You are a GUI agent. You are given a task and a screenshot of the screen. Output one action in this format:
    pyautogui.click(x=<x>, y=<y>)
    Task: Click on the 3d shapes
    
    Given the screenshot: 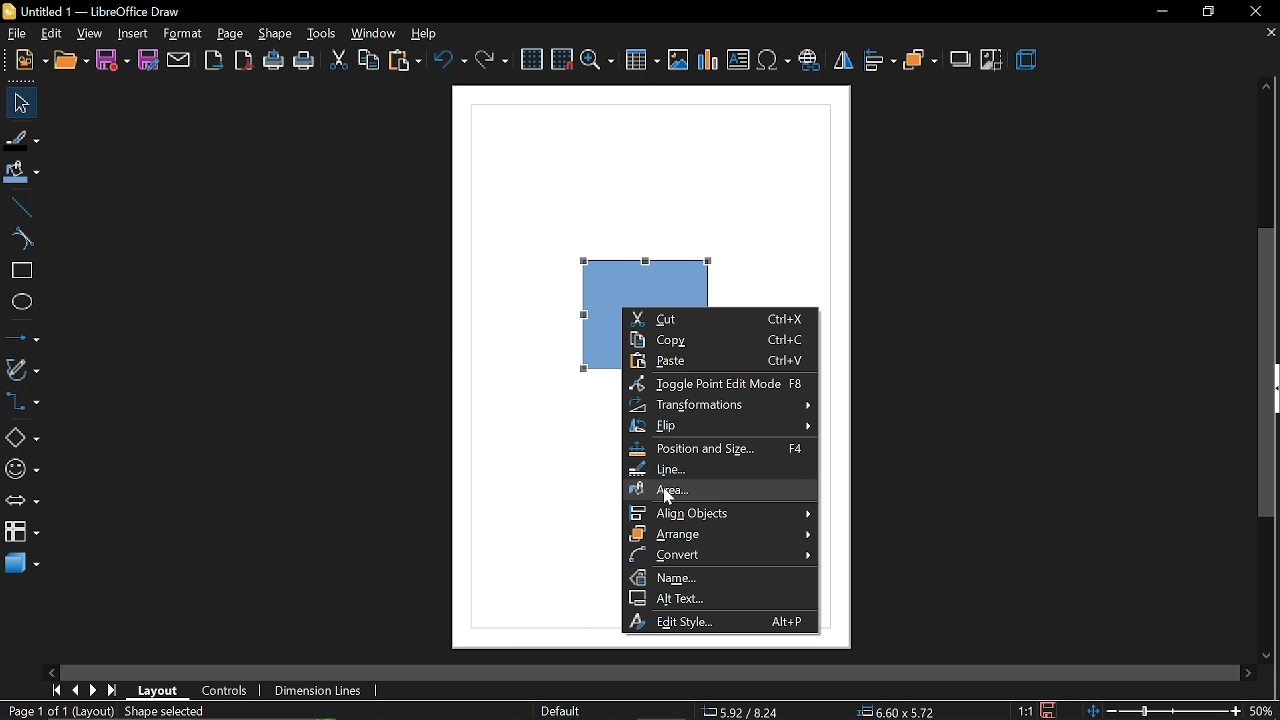 What is the action you would take?
    pyautogui.click(x=20, y=564)
    